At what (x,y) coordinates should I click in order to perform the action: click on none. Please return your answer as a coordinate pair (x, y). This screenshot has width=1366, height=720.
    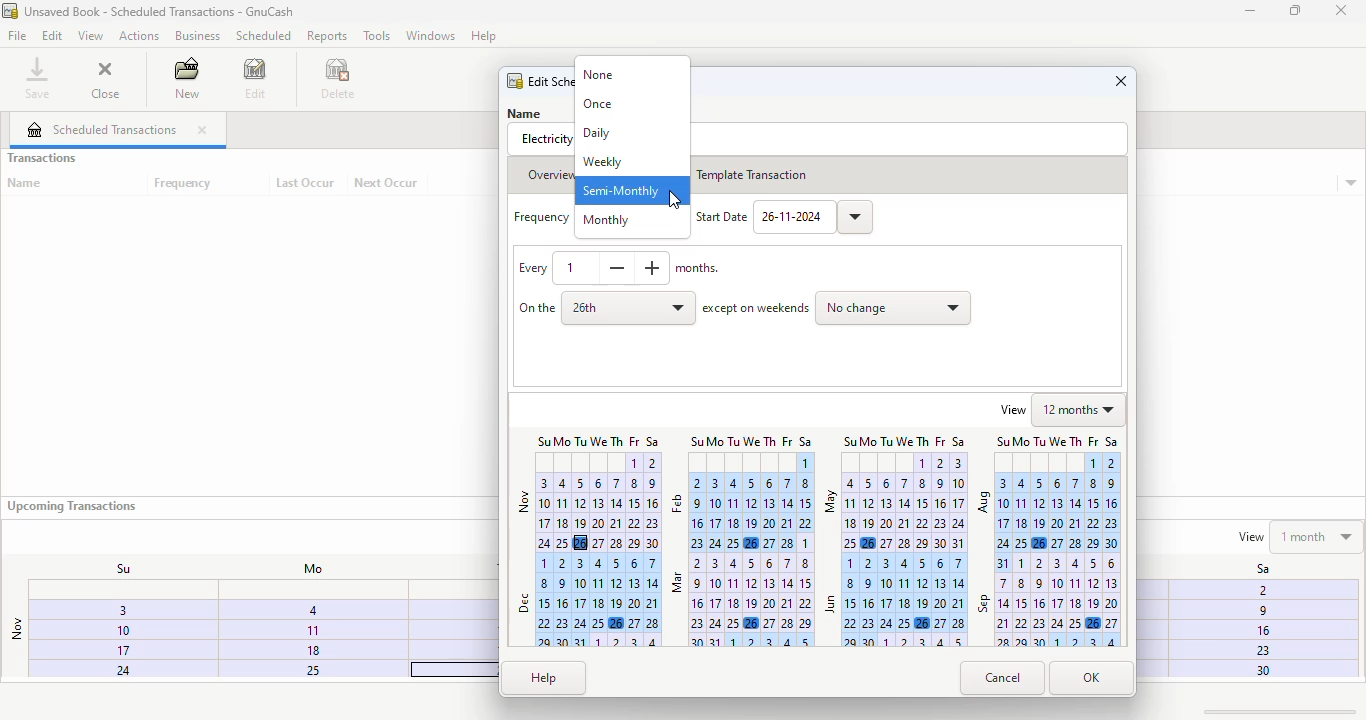
    Looking at the image, I should click on (598, 74).